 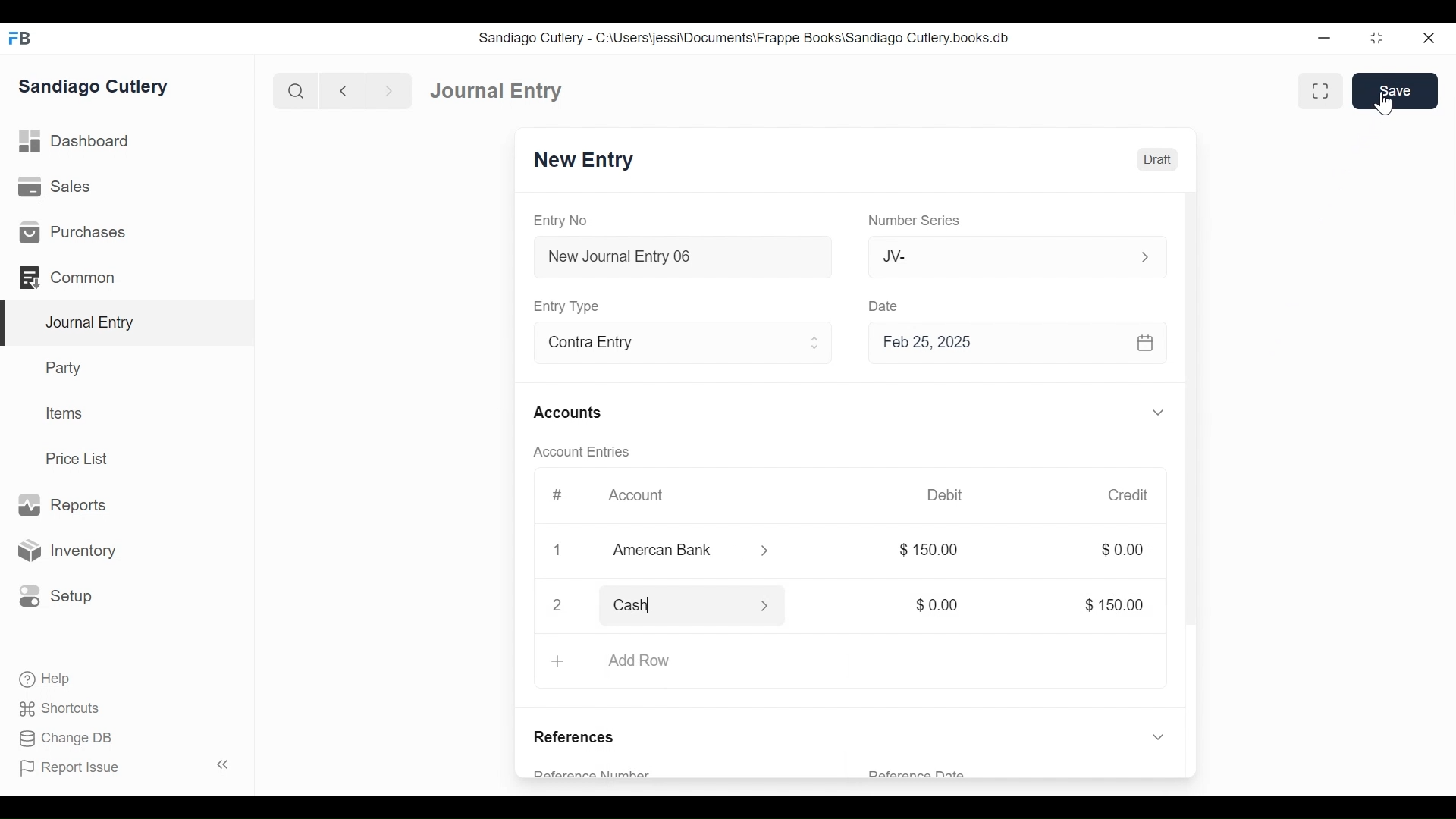 I want to click on Inventory, so click(x=64, y=551).